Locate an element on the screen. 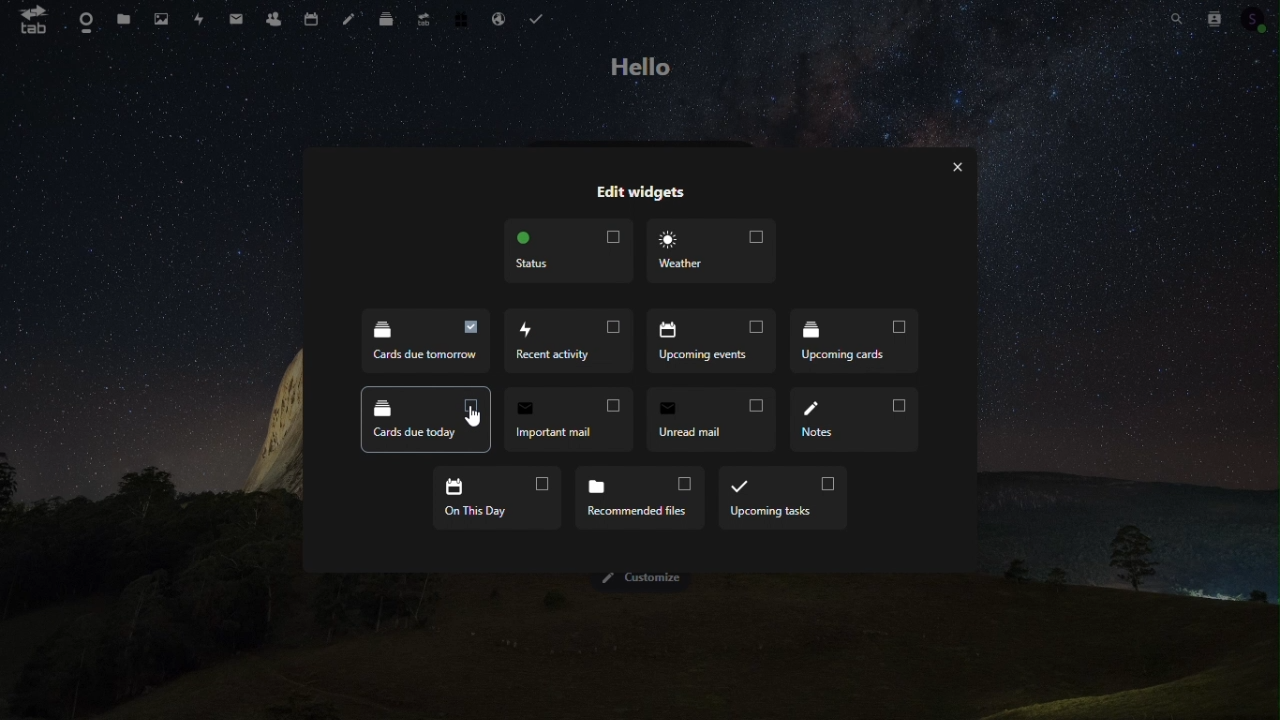 The height and width of the screenshot is (720, 1280). Task is located at coordinates (538, 18).